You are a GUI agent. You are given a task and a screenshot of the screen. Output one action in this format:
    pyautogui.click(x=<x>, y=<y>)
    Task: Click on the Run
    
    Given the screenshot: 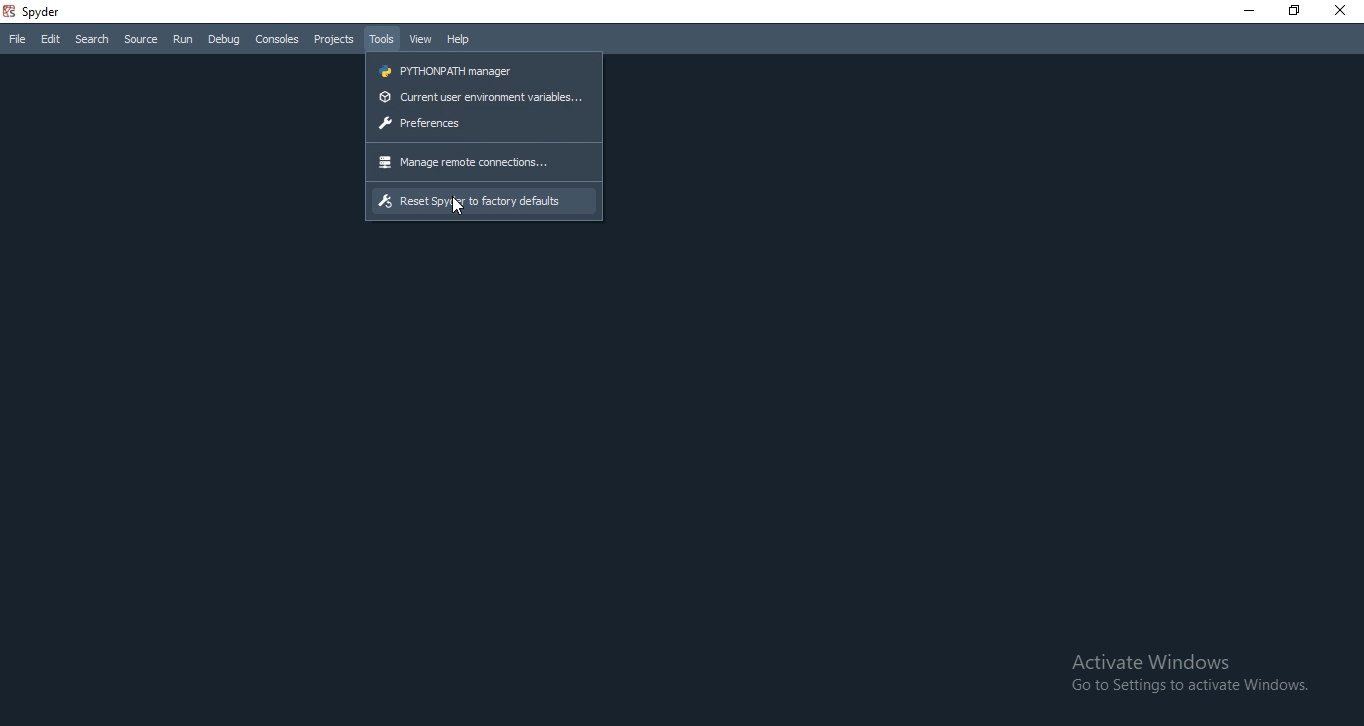 What is the action you would take?
    pyautogui.click(x=182, y=40)
    